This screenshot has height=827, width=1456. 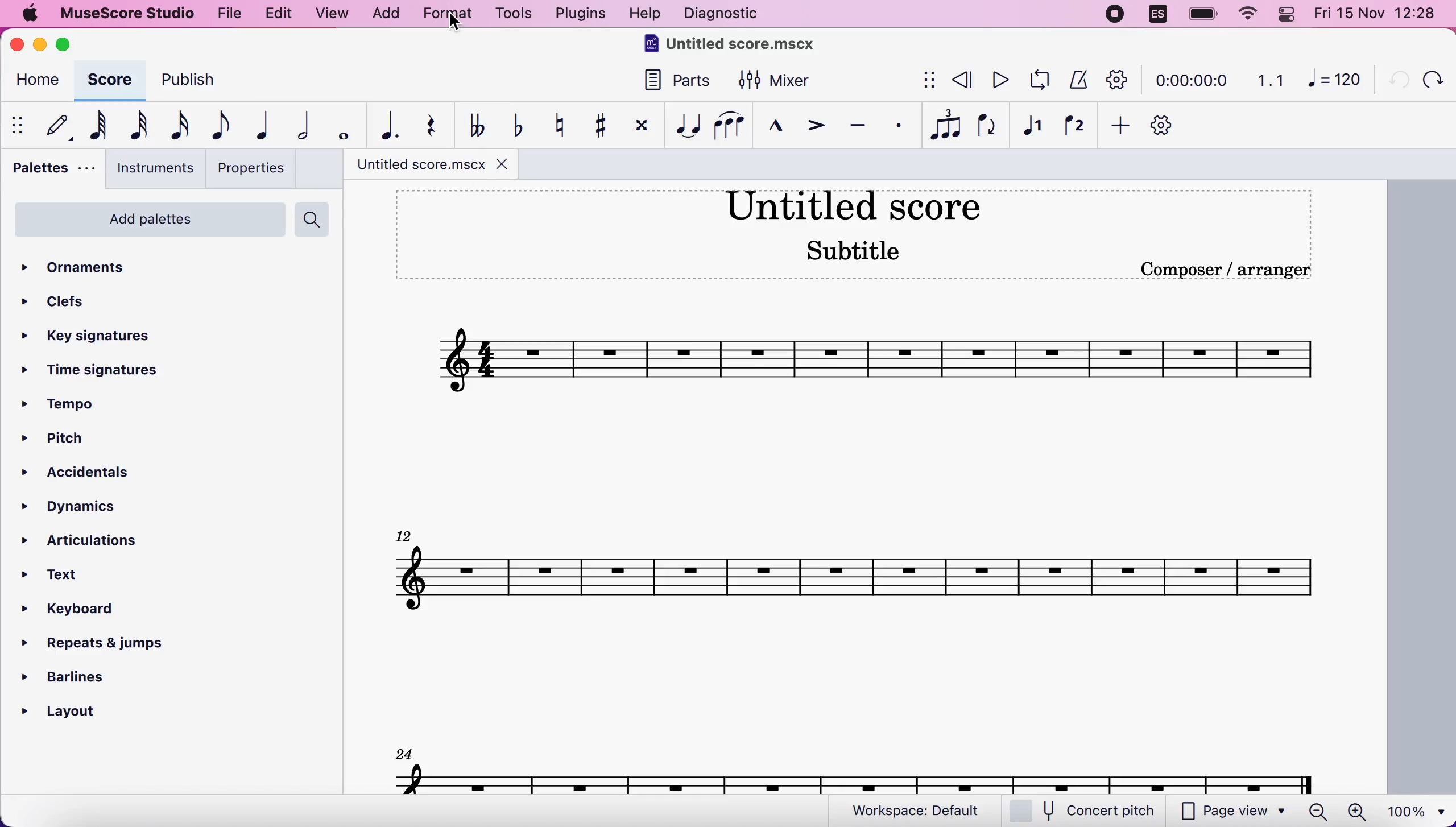 I want to click on ornaments, so click(x=93, y=268).